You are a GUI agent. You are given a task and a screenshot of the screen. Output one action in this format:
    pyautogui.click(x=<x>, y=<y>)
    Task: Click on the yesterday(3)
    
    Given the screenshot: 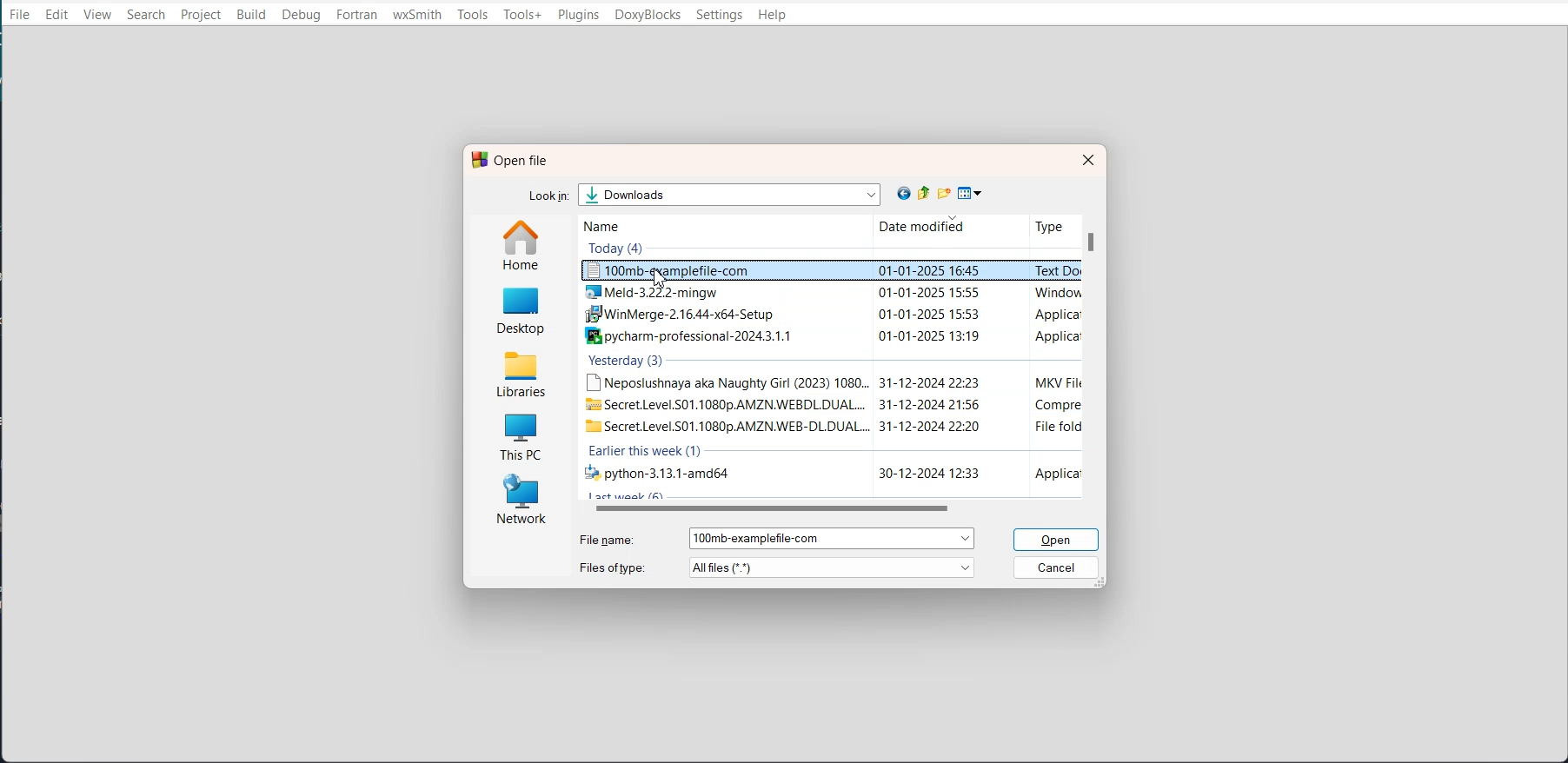 What is the action you would take?
    pyautogui.click(x=628, y=362)
    